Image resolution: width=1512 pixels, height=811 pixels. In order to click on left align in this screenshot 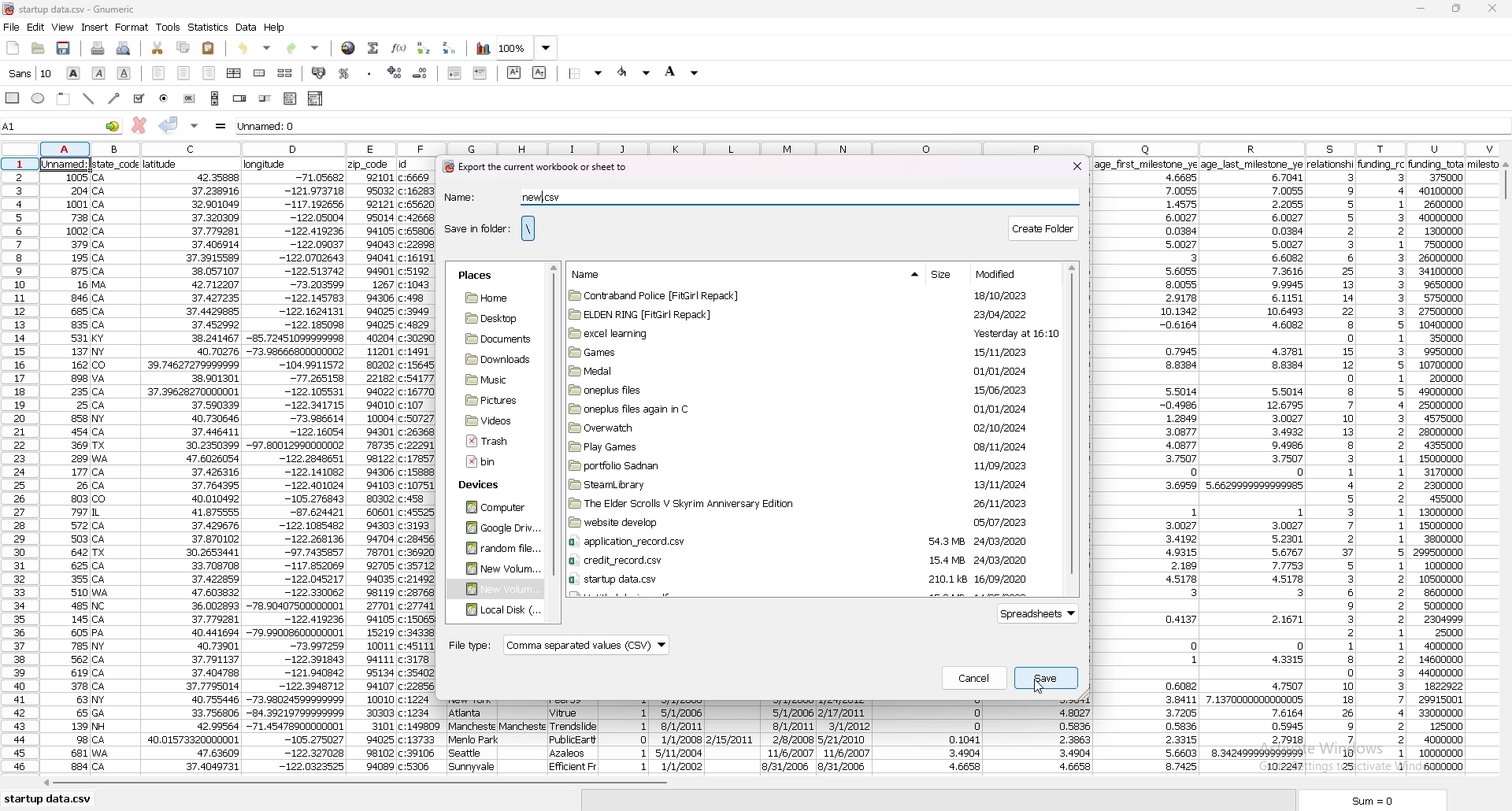, I will do `click(159, 73)`.